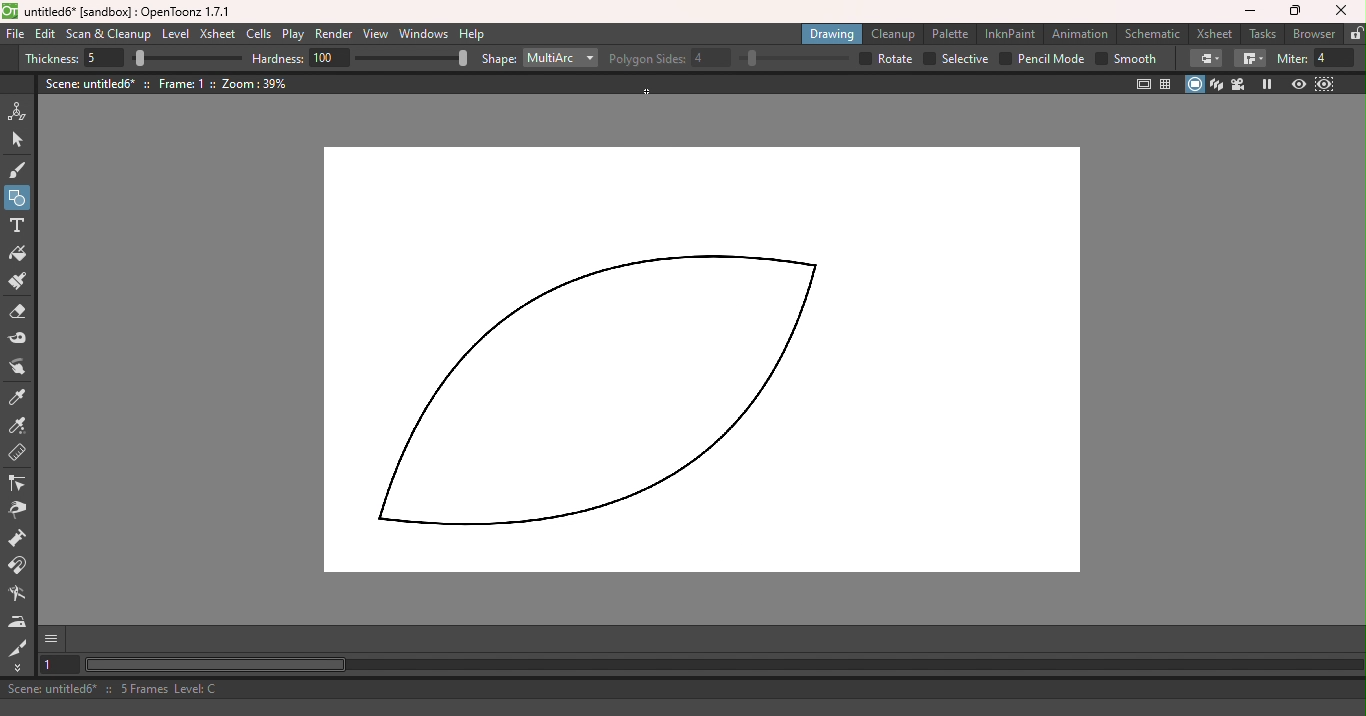 The width and height of the screenshot is (1366, 716). I want to click on GUI Show/hide, so click(53, 639).